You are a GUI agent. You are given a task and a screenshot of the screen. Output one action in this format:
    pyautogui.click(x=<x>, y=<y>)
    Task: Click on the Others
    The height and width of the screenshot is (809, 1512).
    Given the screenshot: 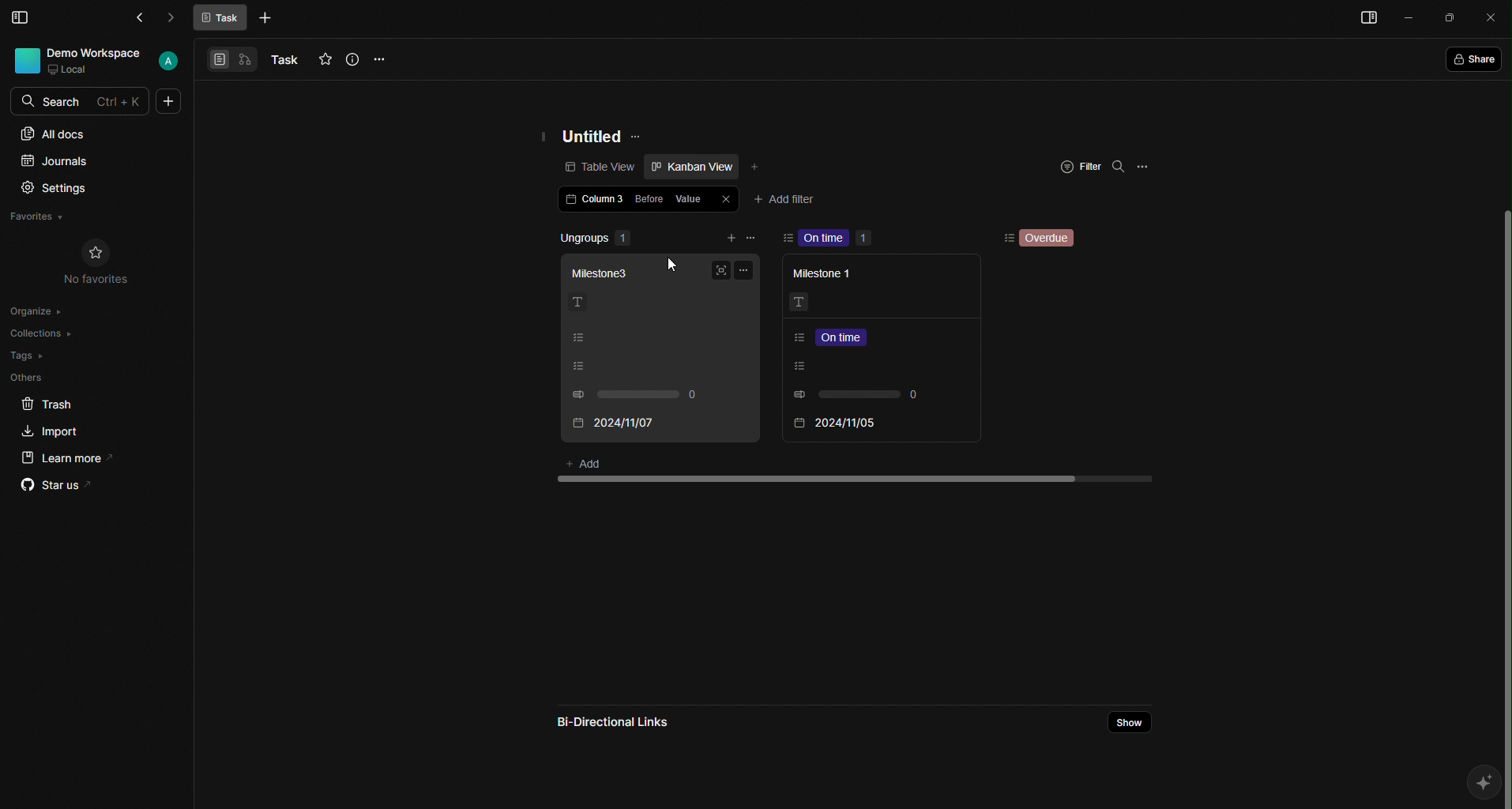 What is the action you would take?
    pyautogui.click(x=27, y=379)
    